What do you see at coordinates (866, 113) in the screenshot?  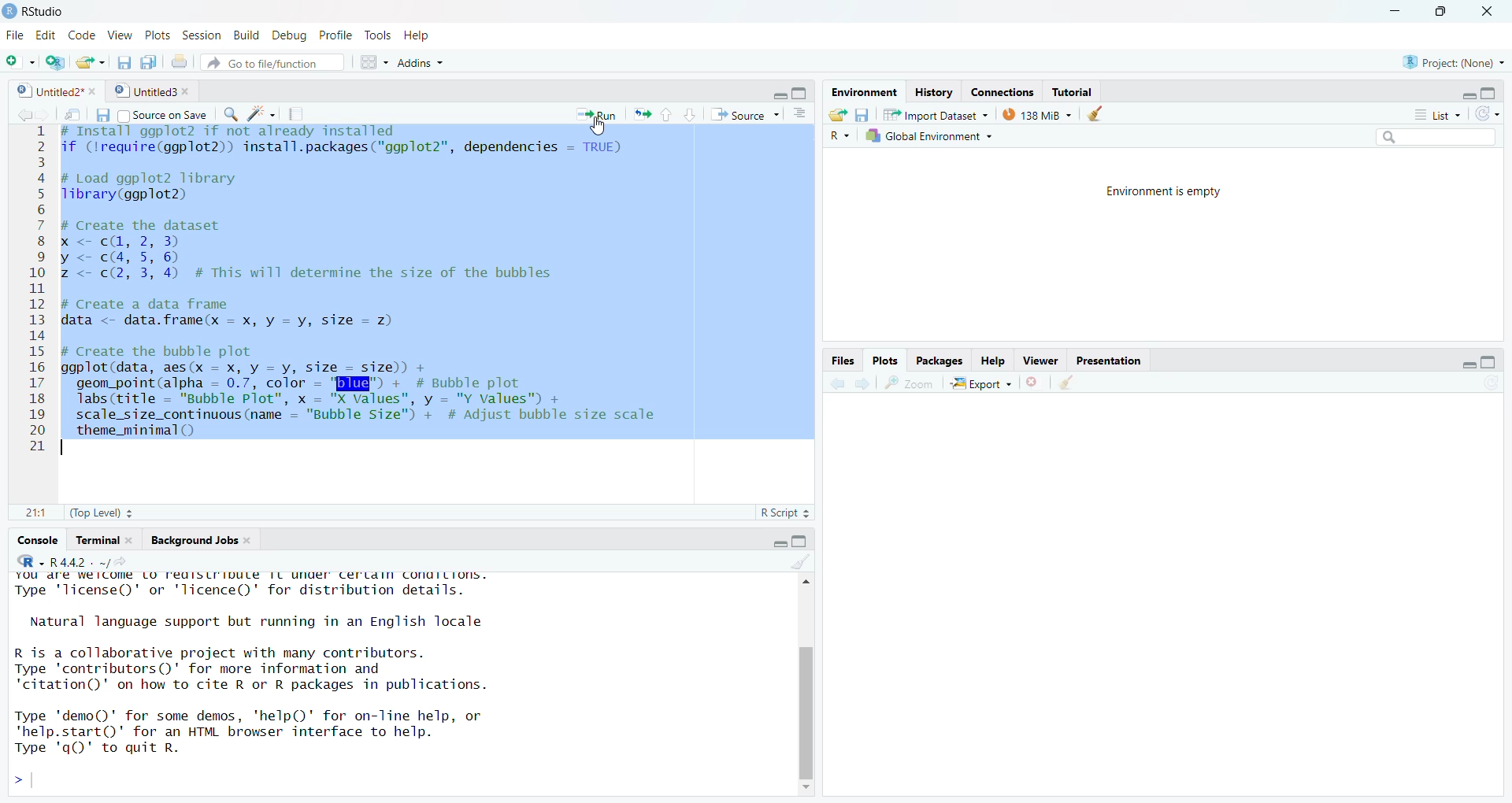 I see `Save workspaces` at bounding box center [866, 113].